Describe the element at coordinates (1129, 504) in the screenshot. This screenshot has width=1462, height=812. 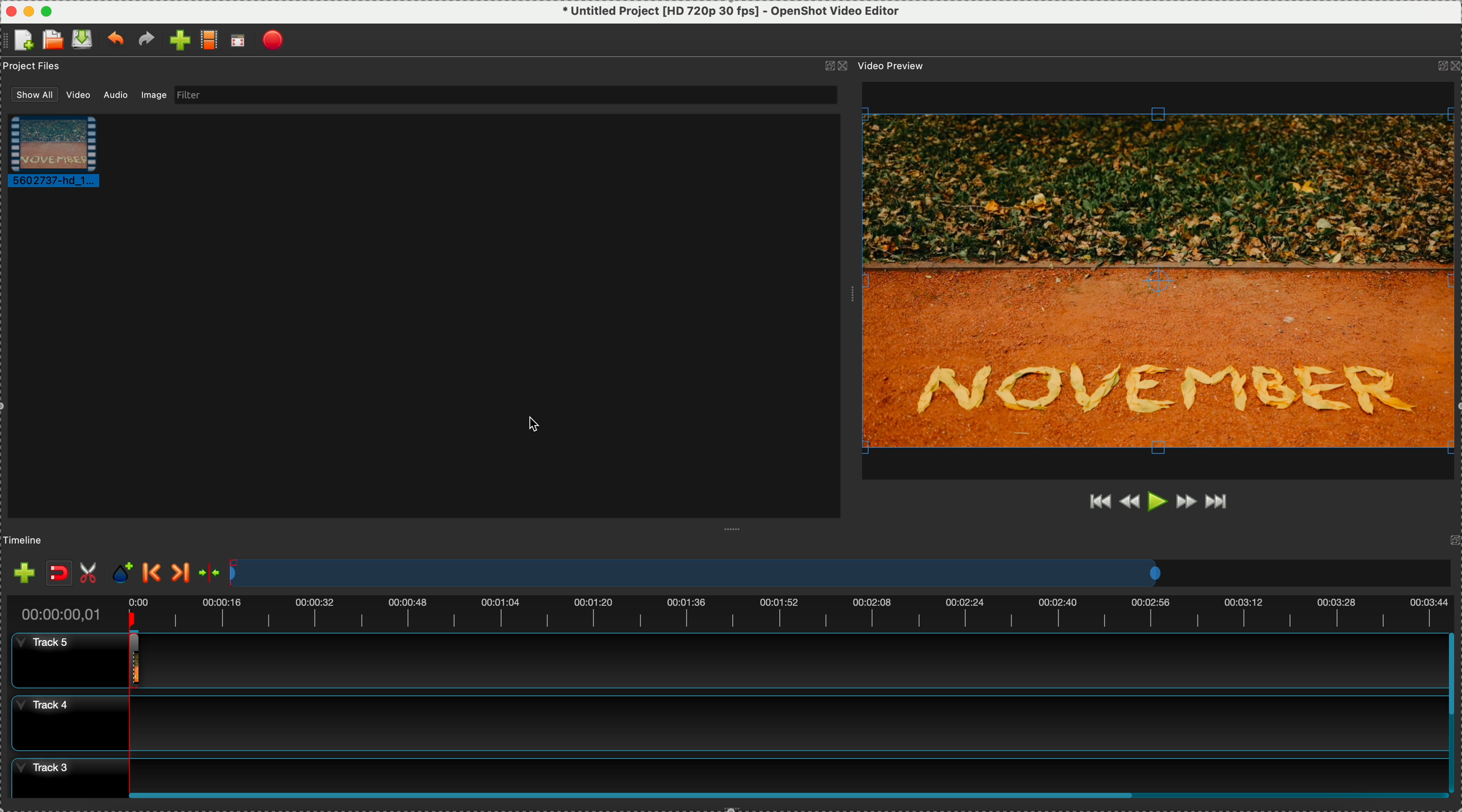
I see `rewind` at that location.